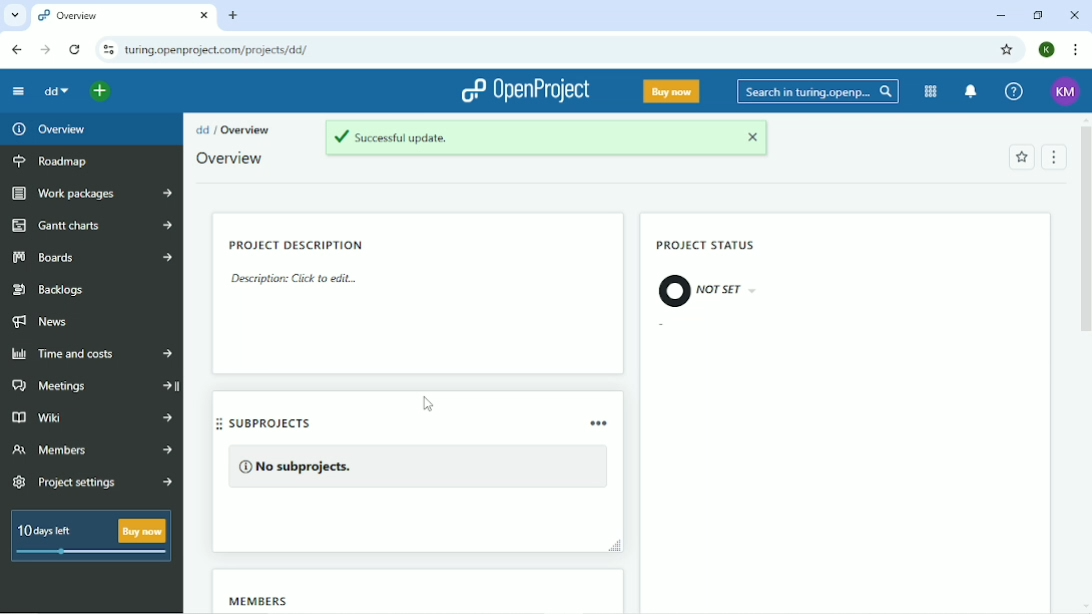 Image resolution: width=1092 pixels, height=614 pixels. I want to click on Current tab, so click(124, 16).